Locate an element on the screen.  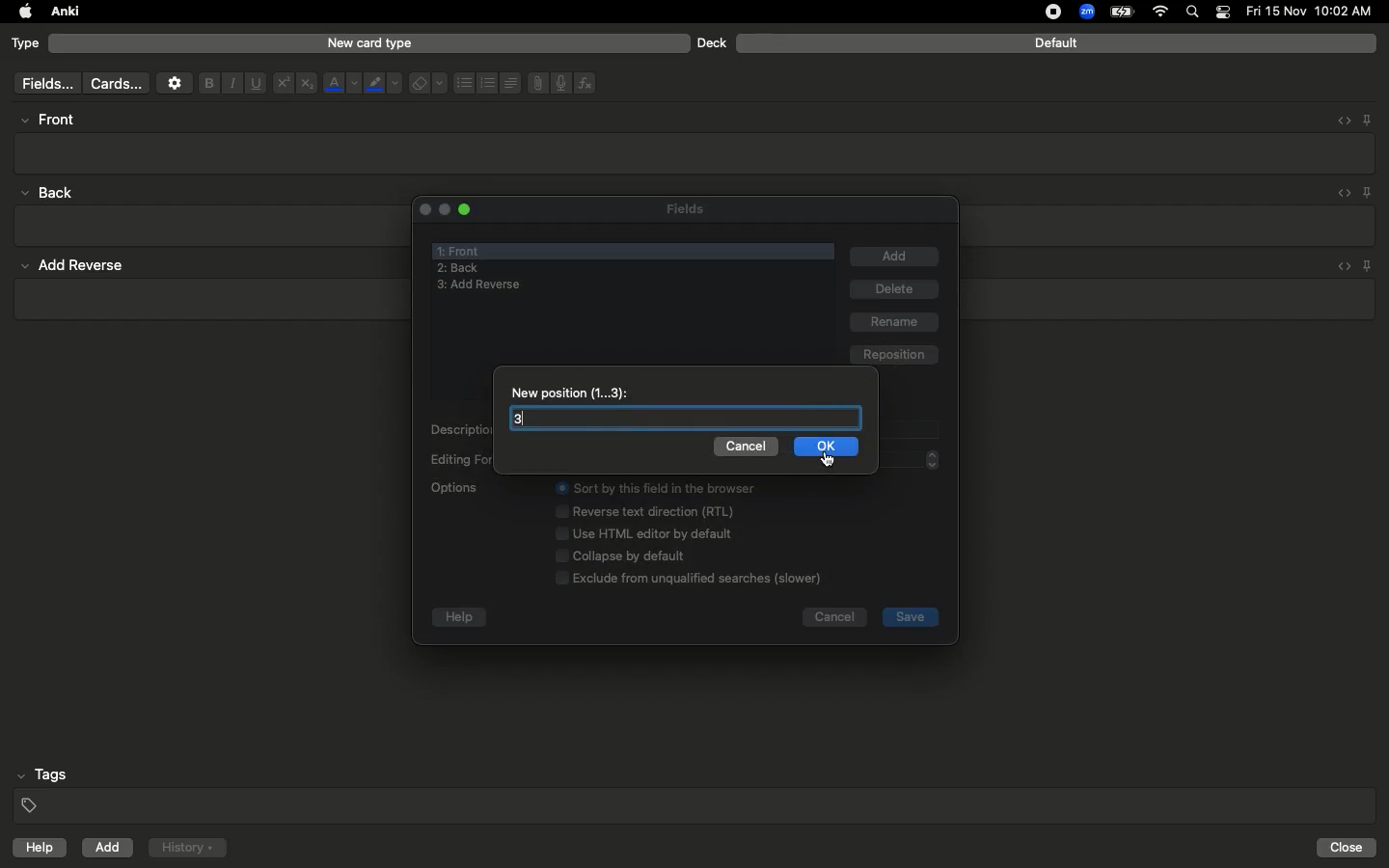
Bullet is located at coordinates (463, 83).